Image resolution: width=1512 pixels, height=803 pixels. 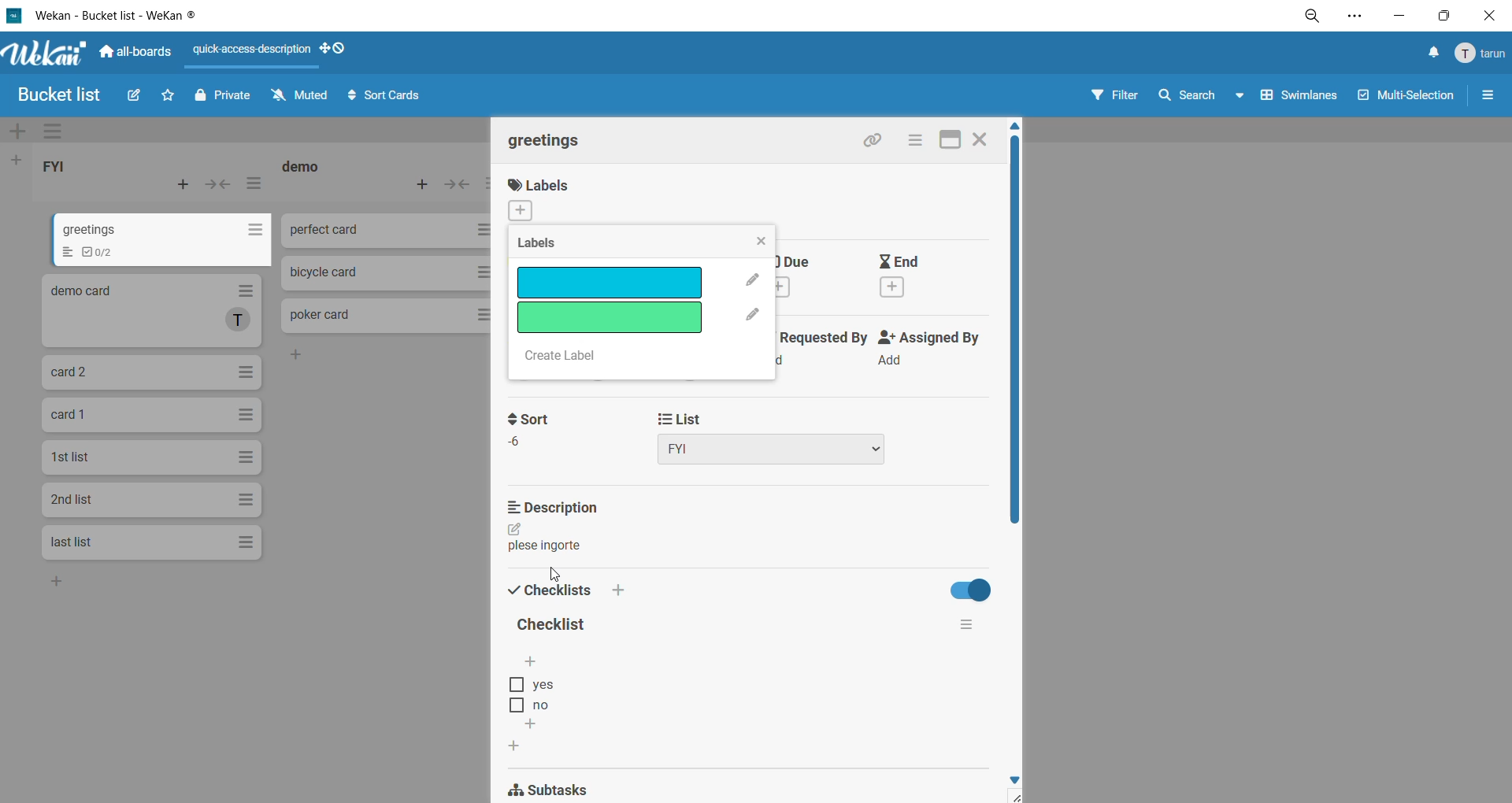 What do you see at coordinates (306, 166) in the screenshot?
I see `list title` at bounding box center [306, 166].